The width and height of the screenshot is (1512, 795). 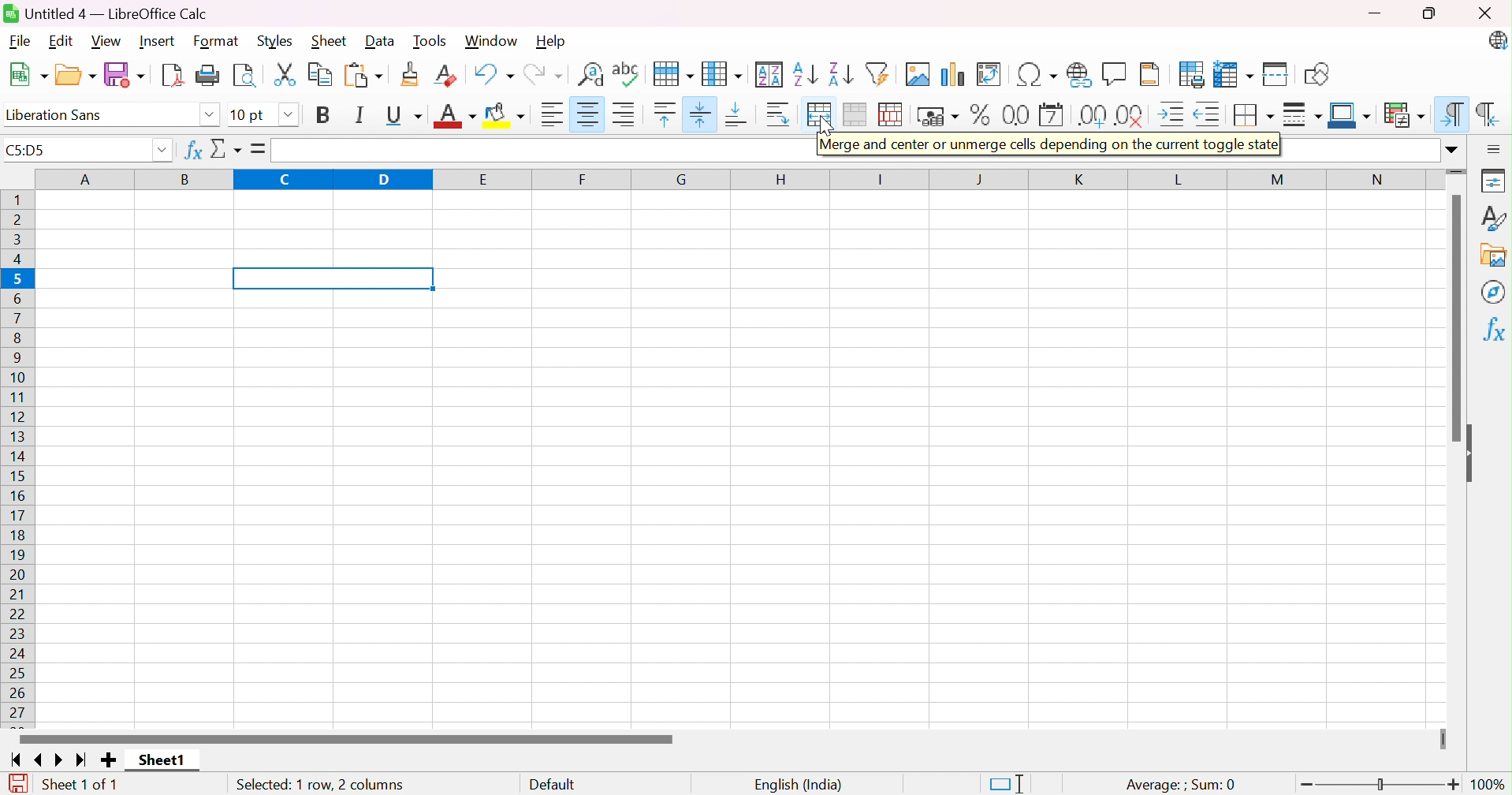 What do you see at coordinates (1315, 73) in the screenshot?
I see `Show Draw Functions` at bounding box center [1315, 73].